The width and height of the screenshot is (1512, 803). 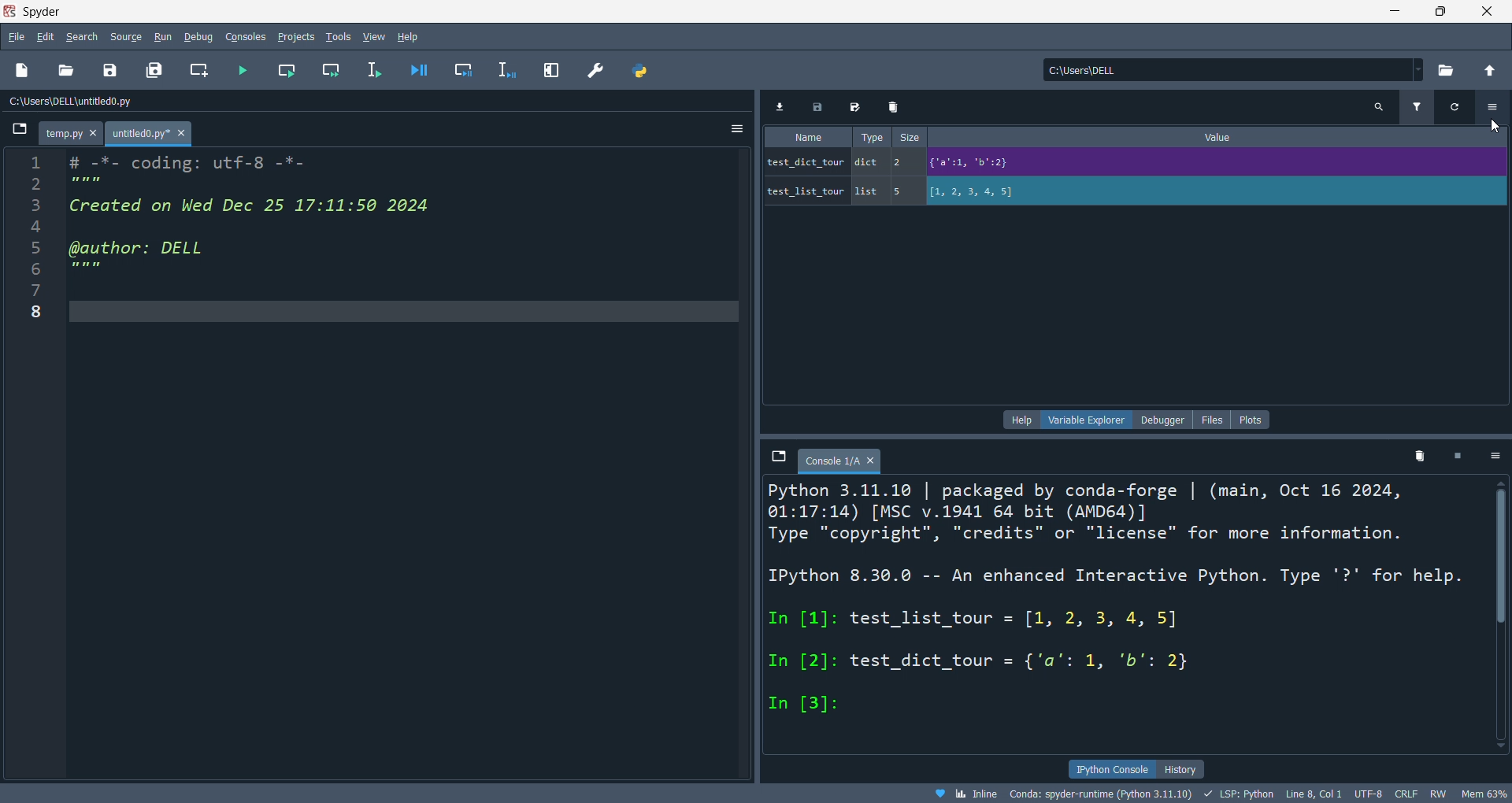 What do you see at coordinates (1407, 794) in the screenshot?
I see `CRLF` at bounding box center [1407, 794].